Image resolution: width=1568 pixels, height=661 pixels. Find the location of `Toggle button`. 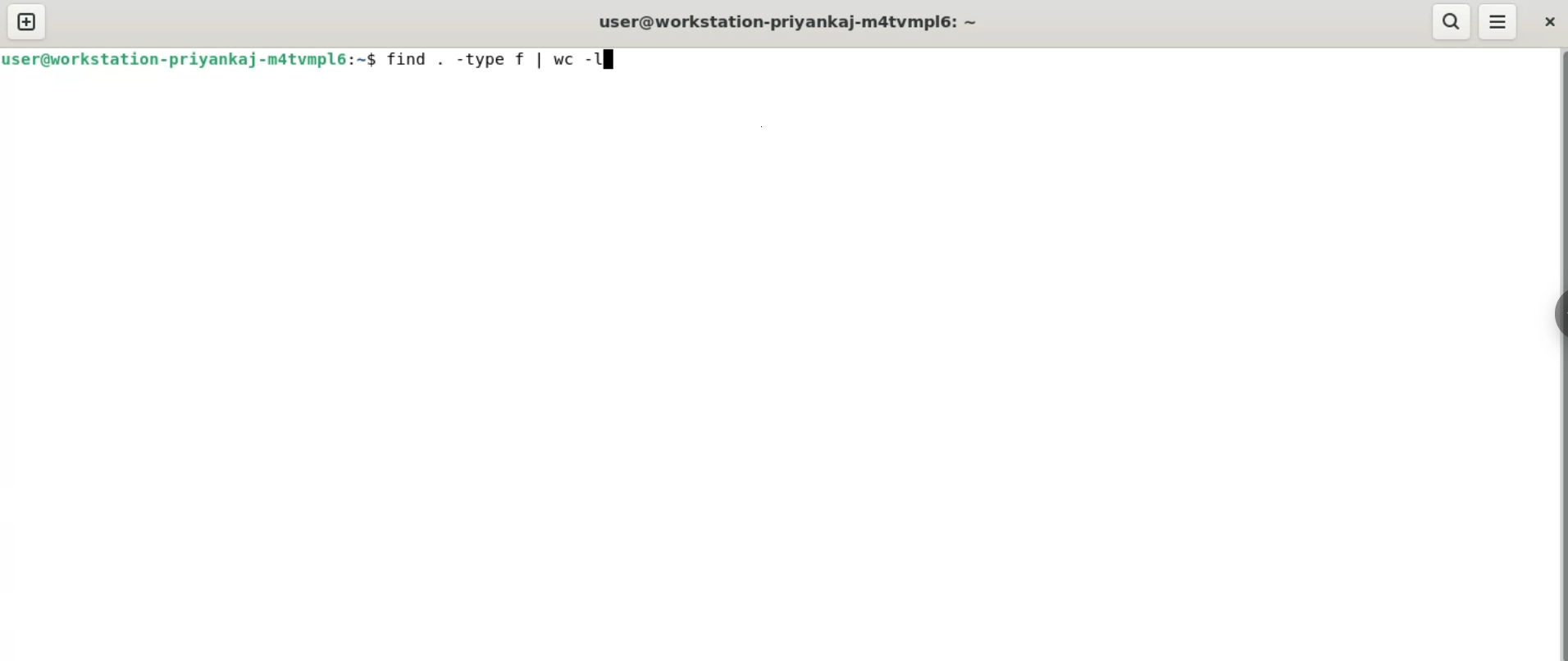

Toggle button is located at coordinates (1552, 317).